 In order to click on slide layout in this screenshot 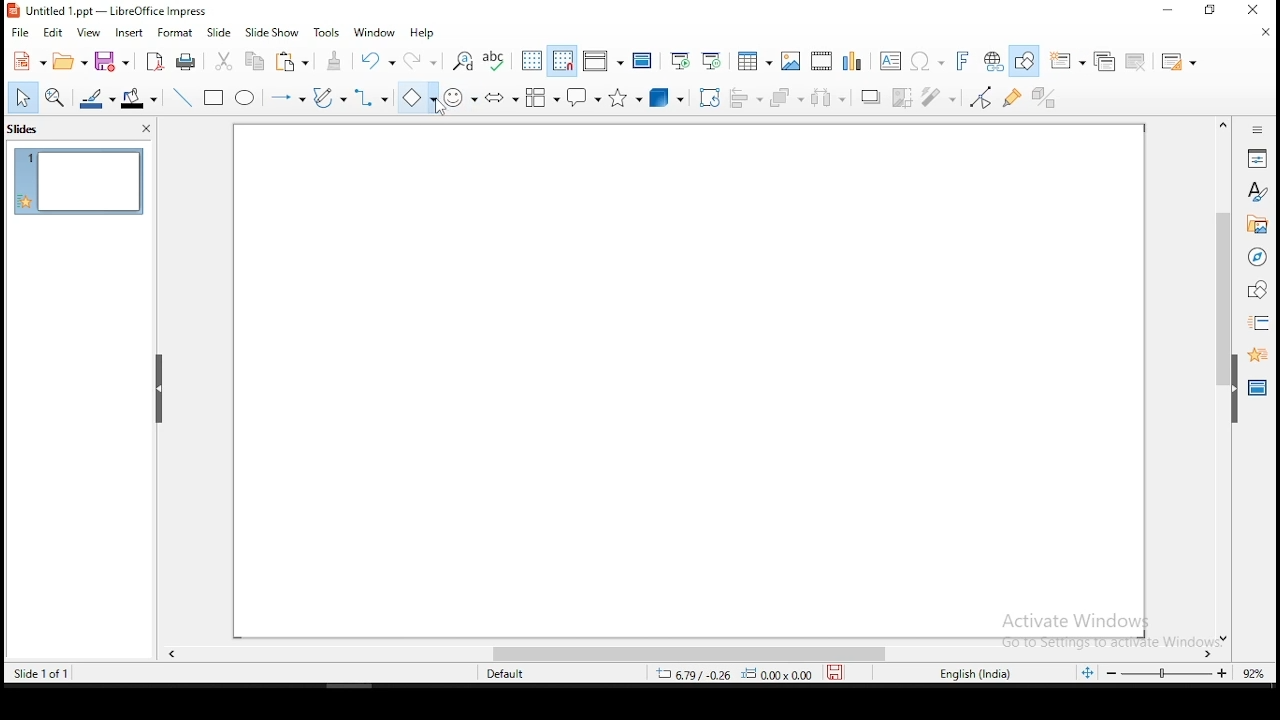, I will do `click(1179, 59)`.